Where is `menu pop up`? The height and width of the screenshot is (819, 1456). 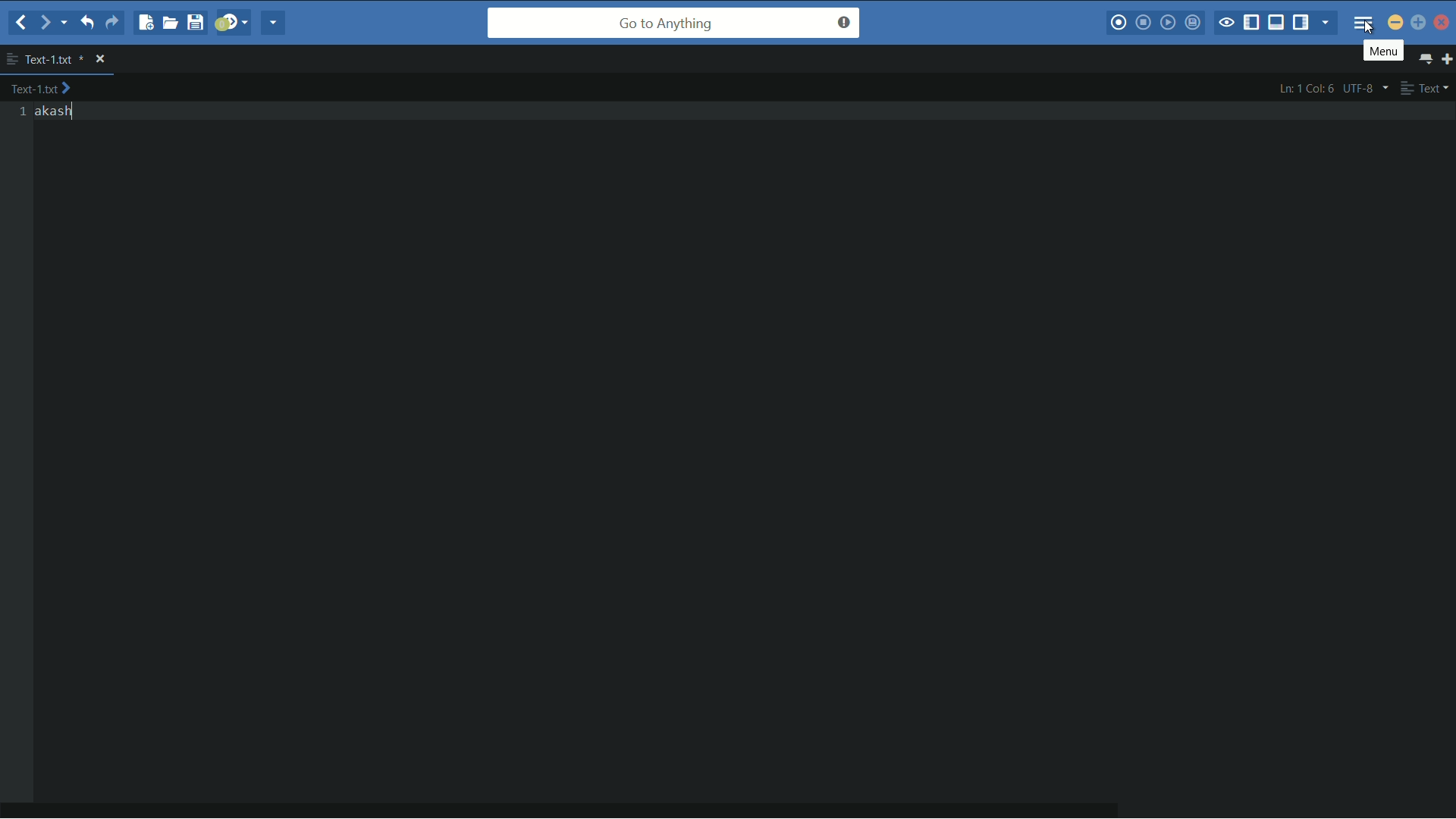 menu pop up is located at coordinates (1382, 50).